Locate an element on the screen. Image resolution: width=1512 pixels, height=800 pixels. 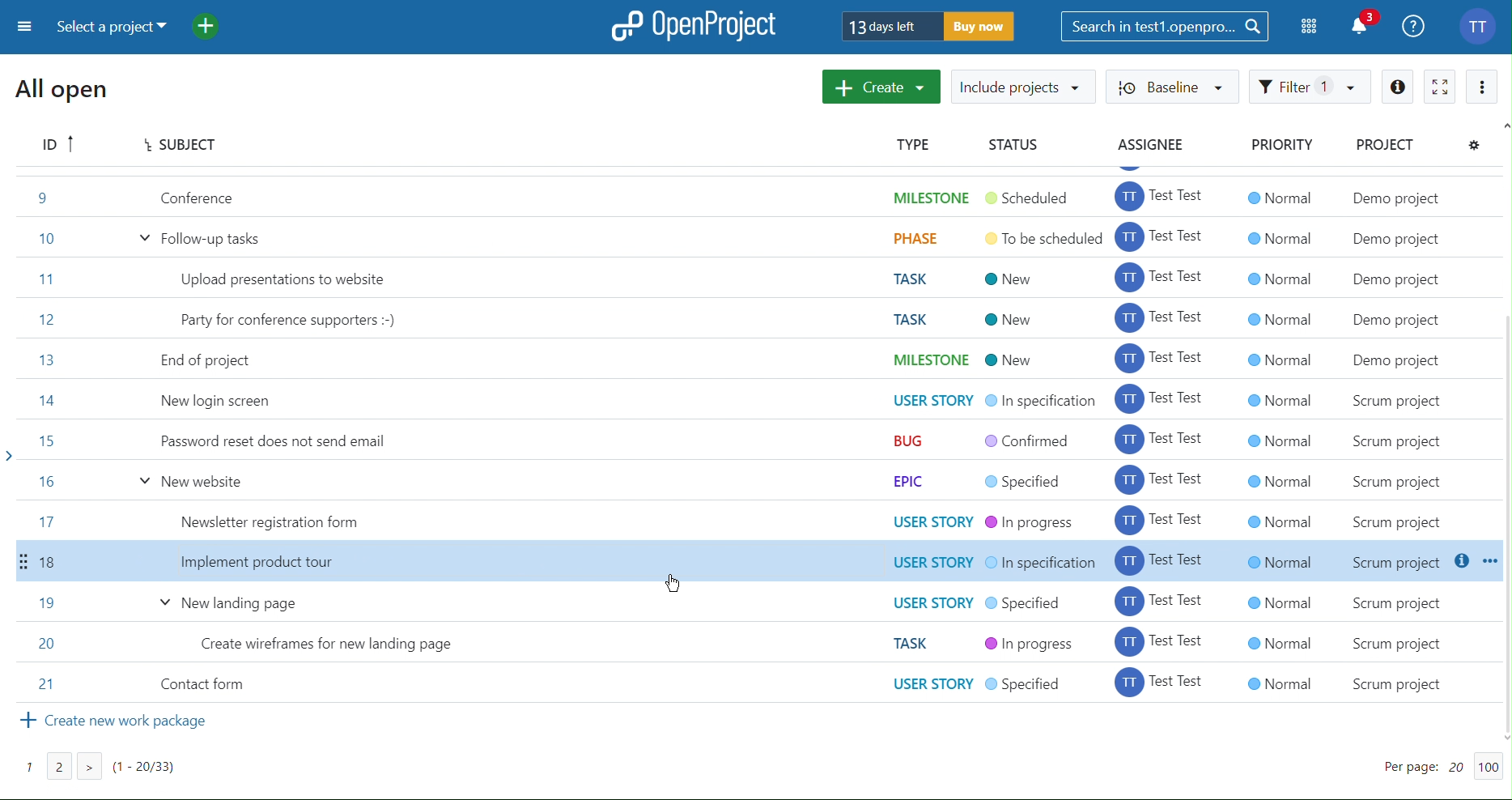
Per Page is located at coordinates (1428, 766).